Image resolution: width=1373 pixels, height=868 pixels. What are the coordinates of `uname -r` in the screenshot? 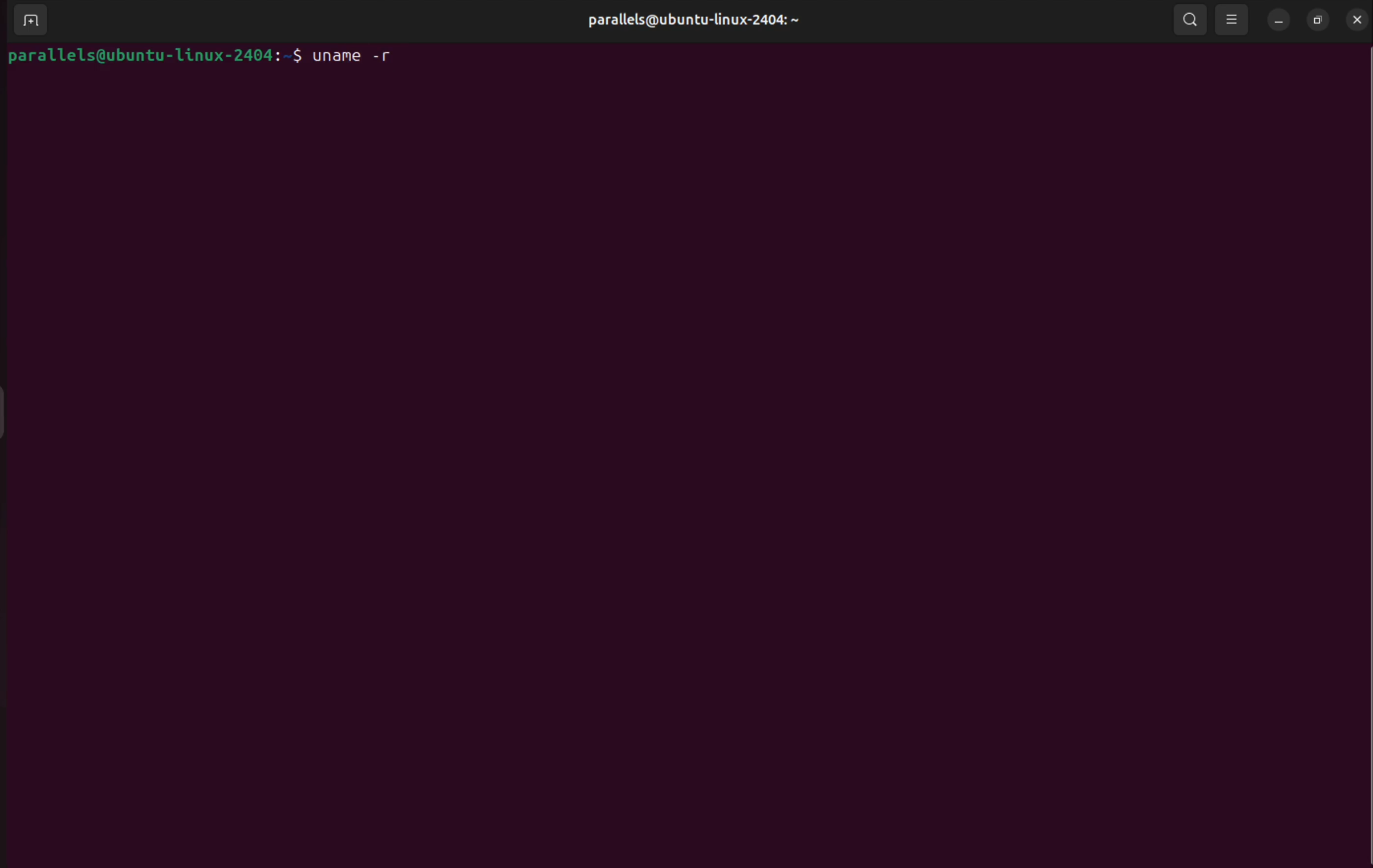 It's located at (361, 56).